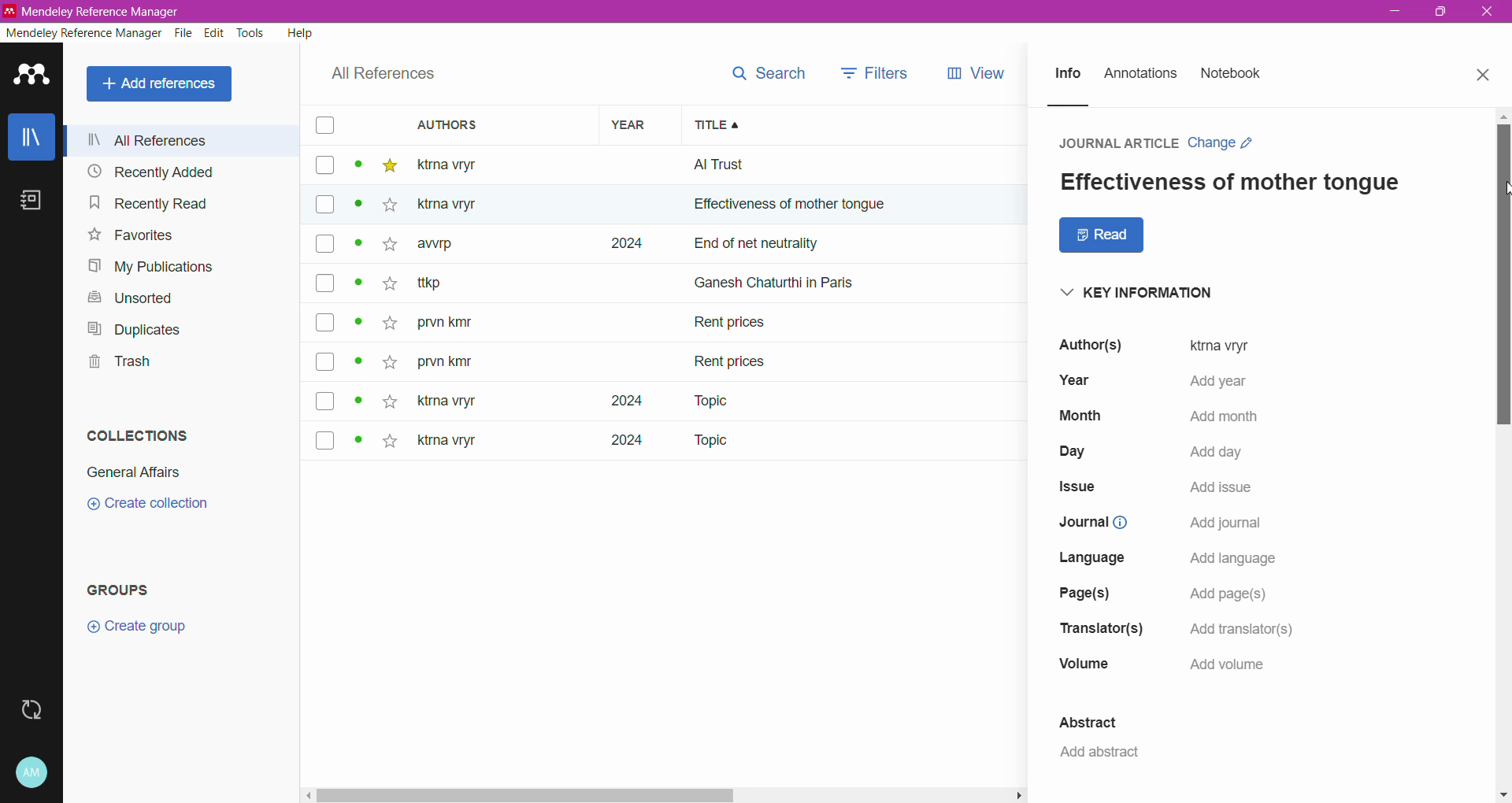 The width and height of the screenshot is (1512, 803). I want to click on Language, so click(1095, 559).